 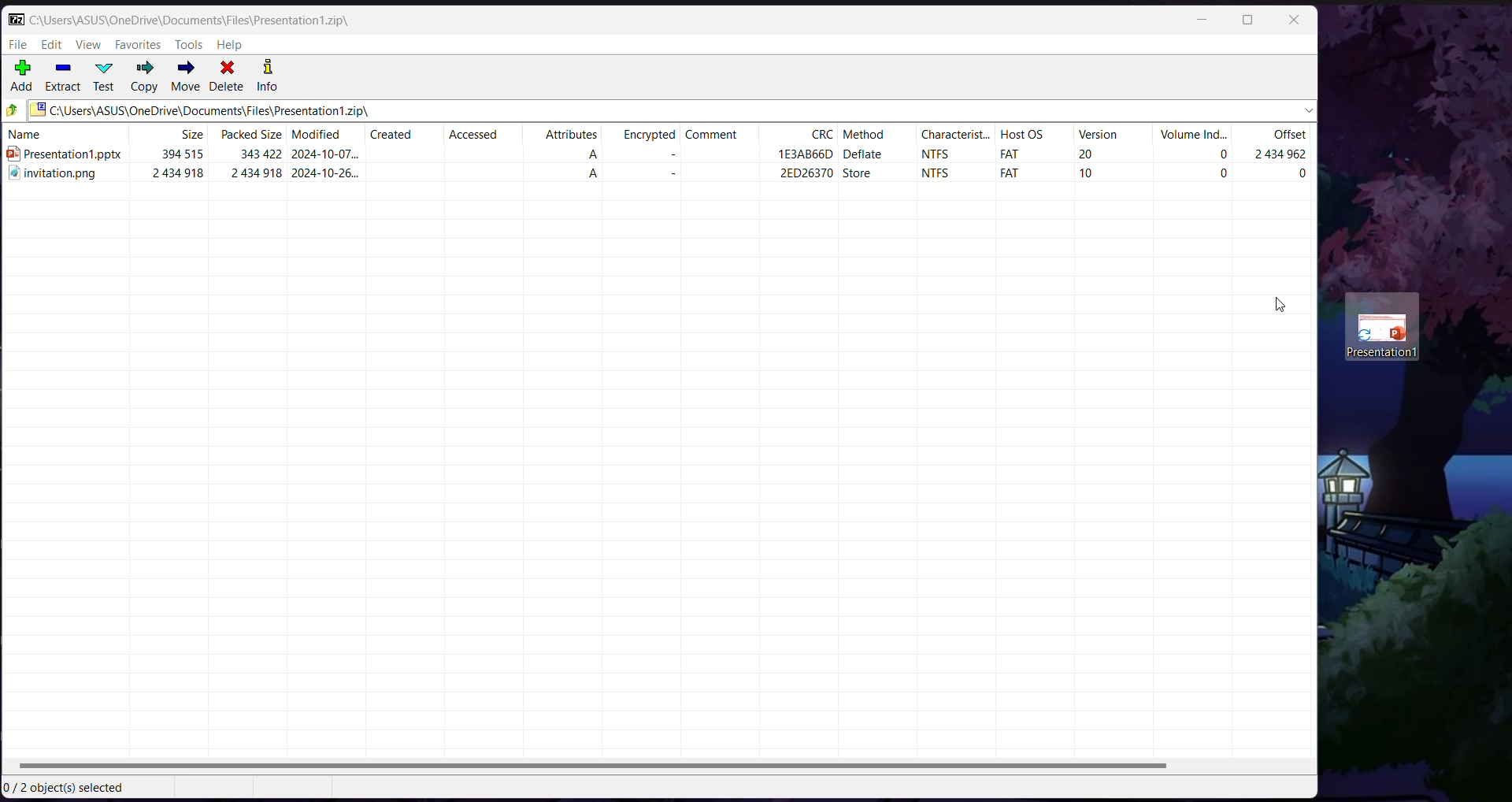 I want to click on Info, so click(x=268, y=76).